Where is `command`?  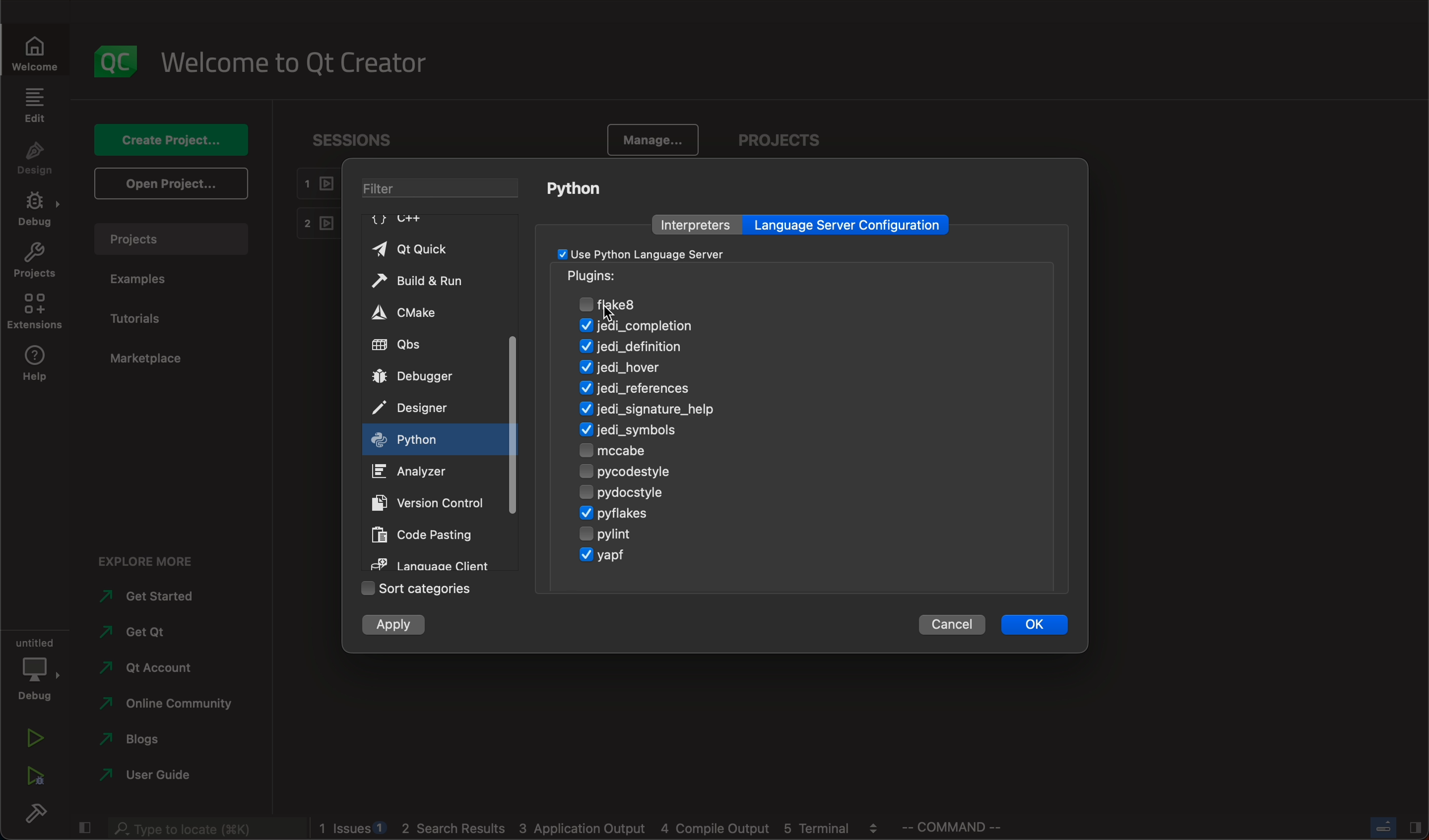
command is located at coordinates (951, 826).